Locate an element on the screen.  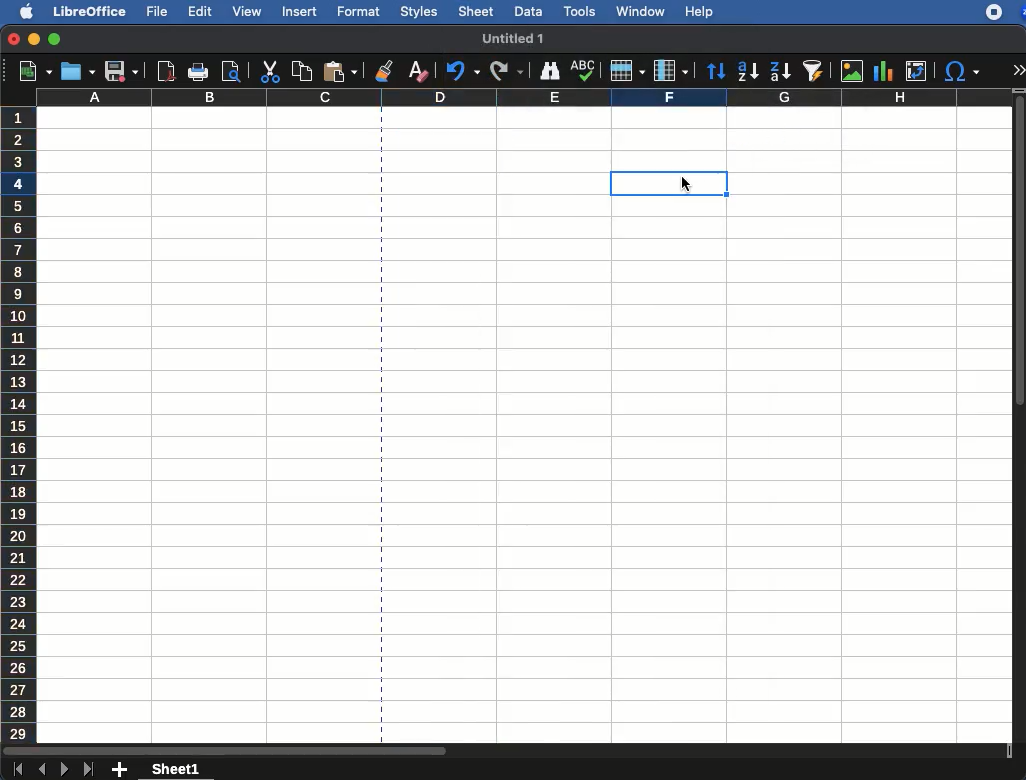
maximize is located at coordinates (56, 40).